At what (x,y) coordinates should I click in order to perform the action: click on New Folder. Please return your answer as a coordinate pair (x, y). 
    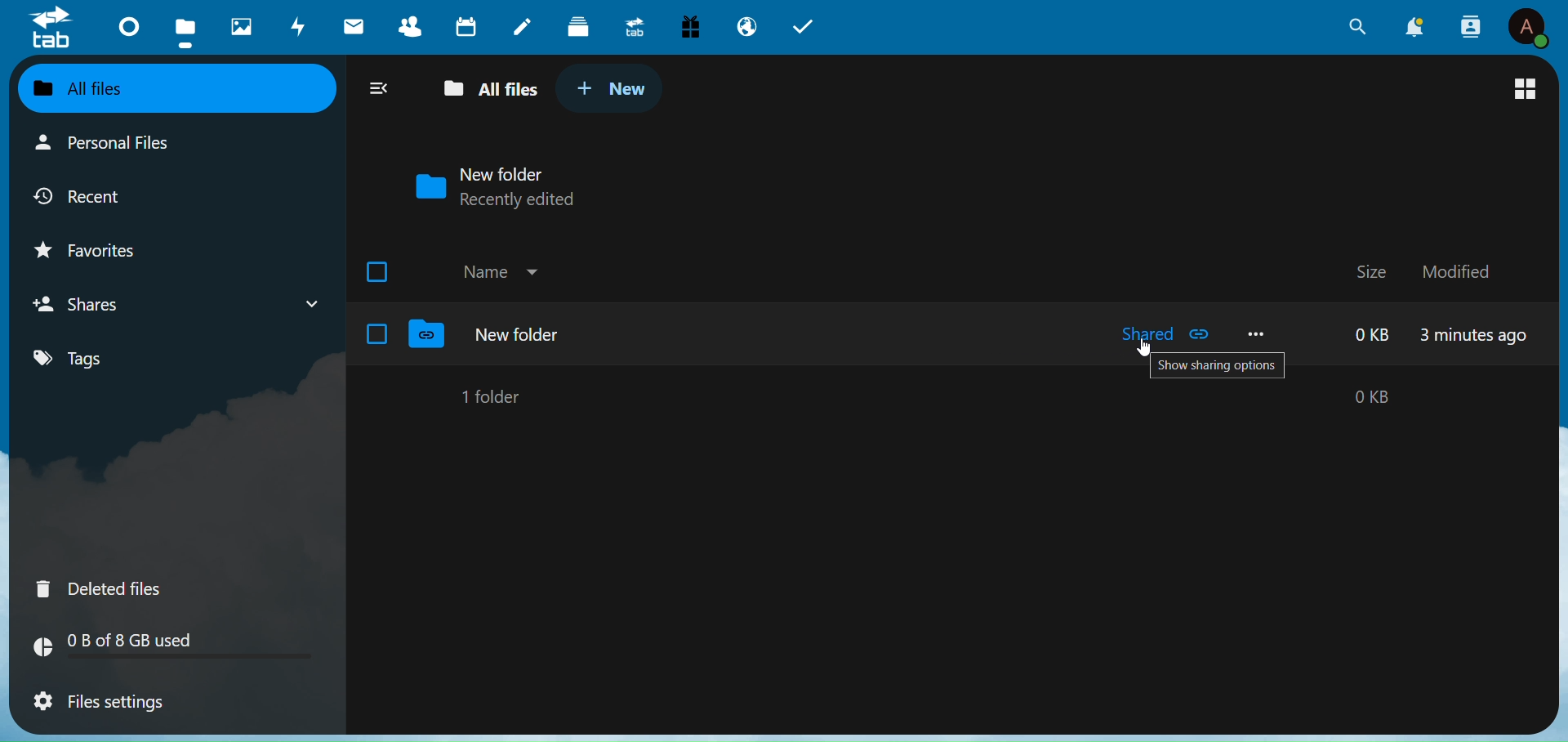
    Looking at the image, I should click on (519, 334).